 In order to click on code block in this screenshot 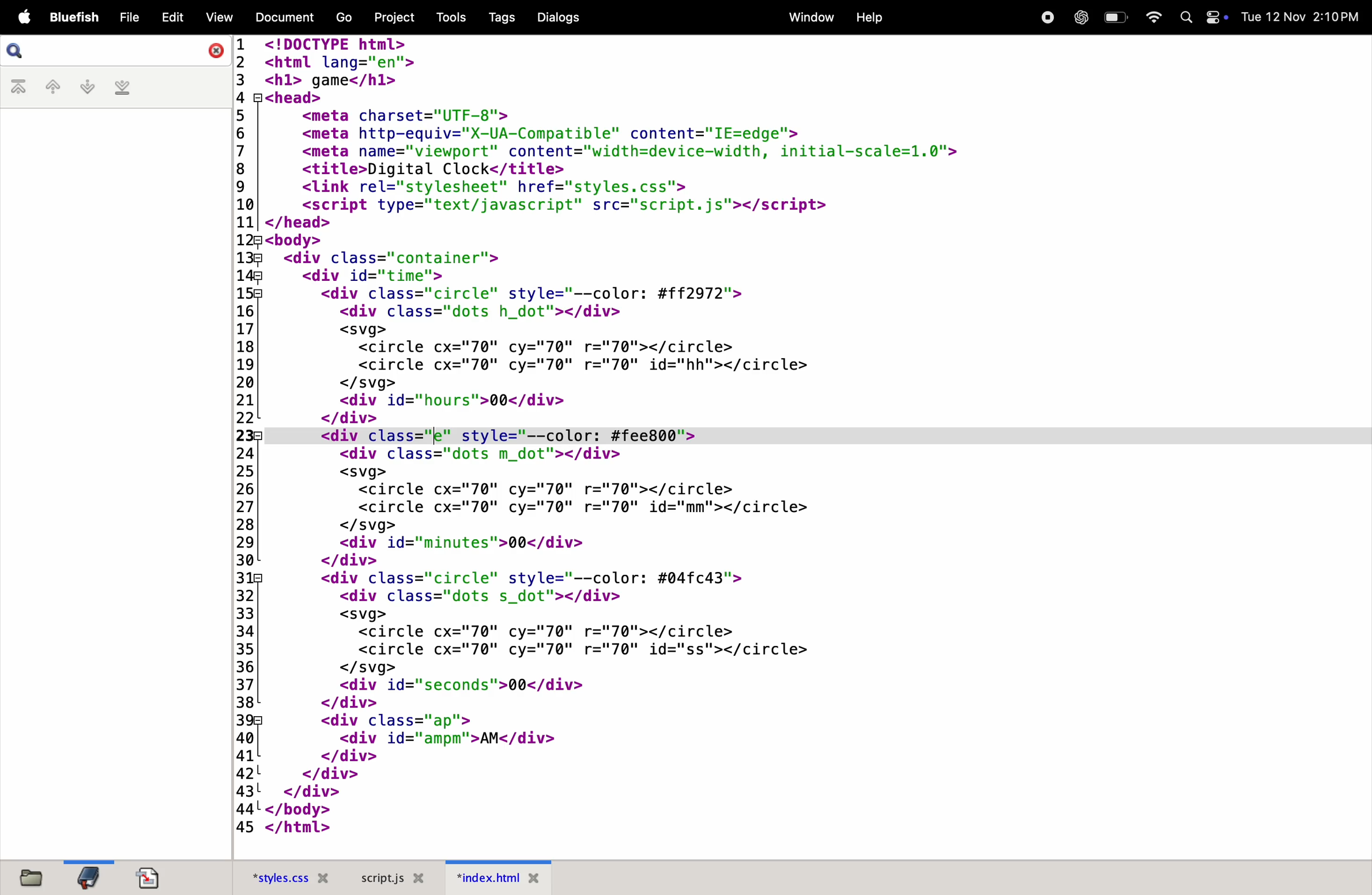, I will do `click(774, 646)`.